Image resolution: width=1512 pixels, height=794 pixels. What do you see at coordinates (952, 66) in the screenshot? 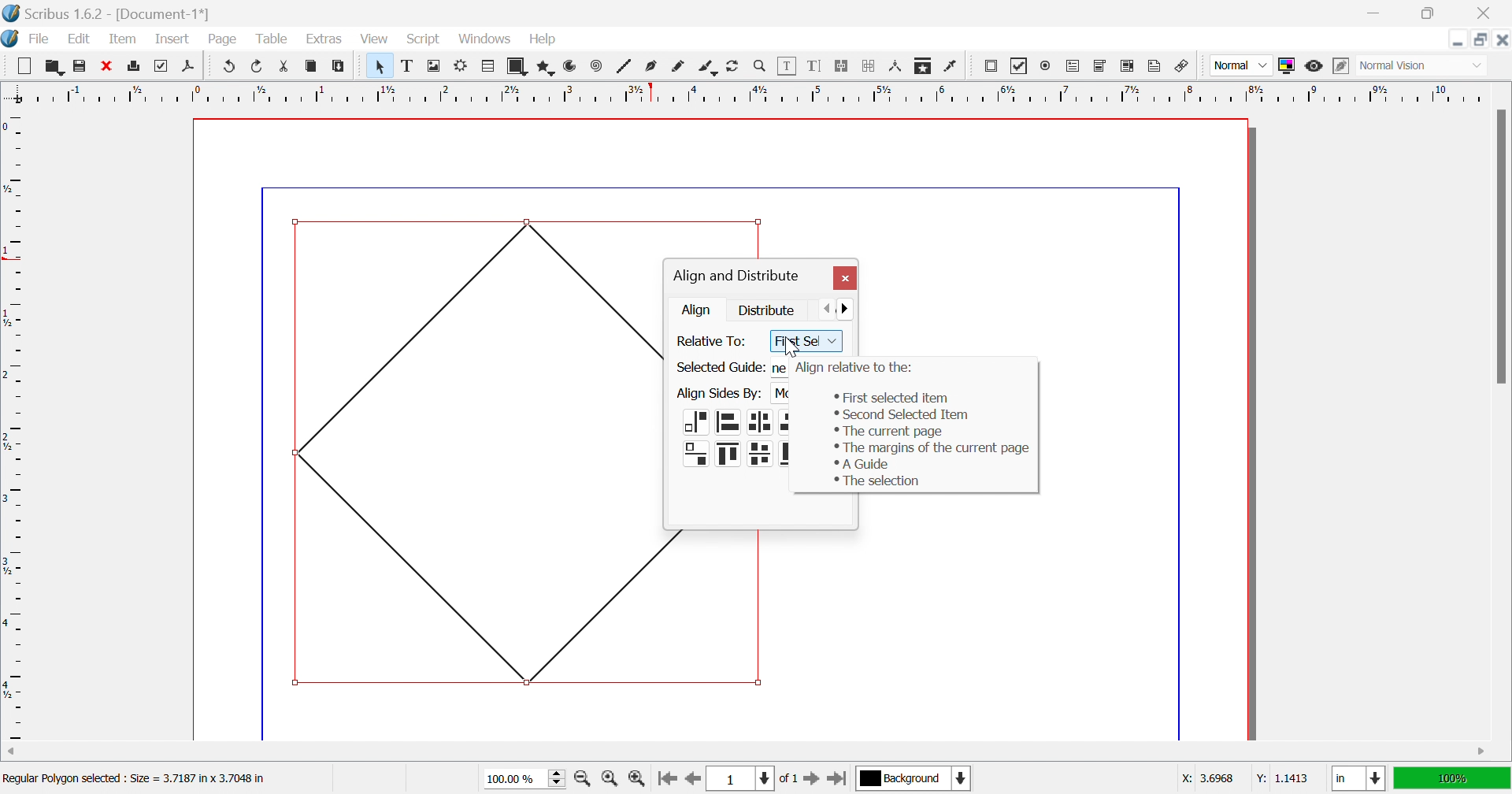
I see `Eye dropper` at bounding box center [952, 66].